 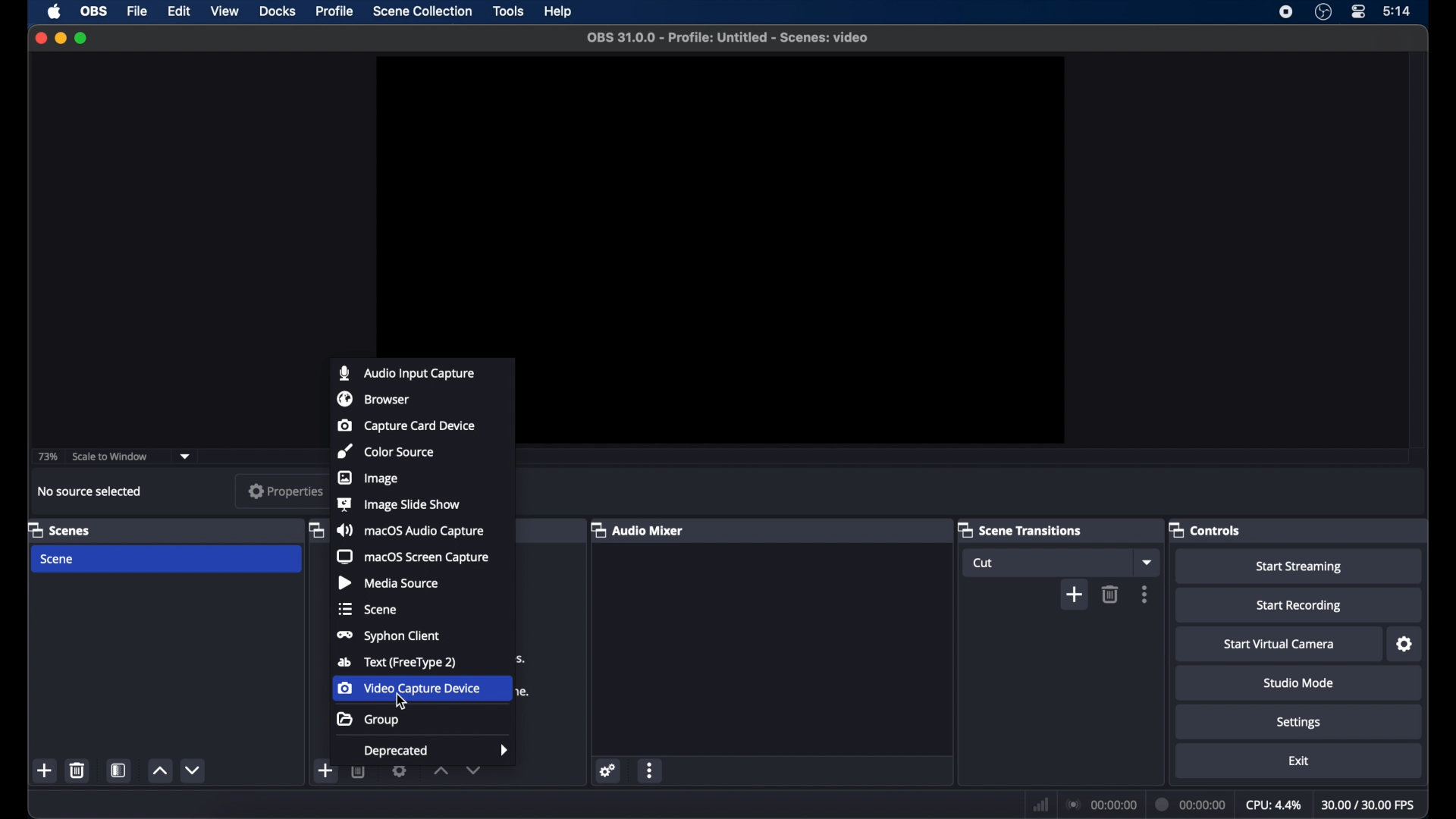 What do you see at coordinates (369, 721) in the screenshot?
I see `group` at bounding box center [369, 721].